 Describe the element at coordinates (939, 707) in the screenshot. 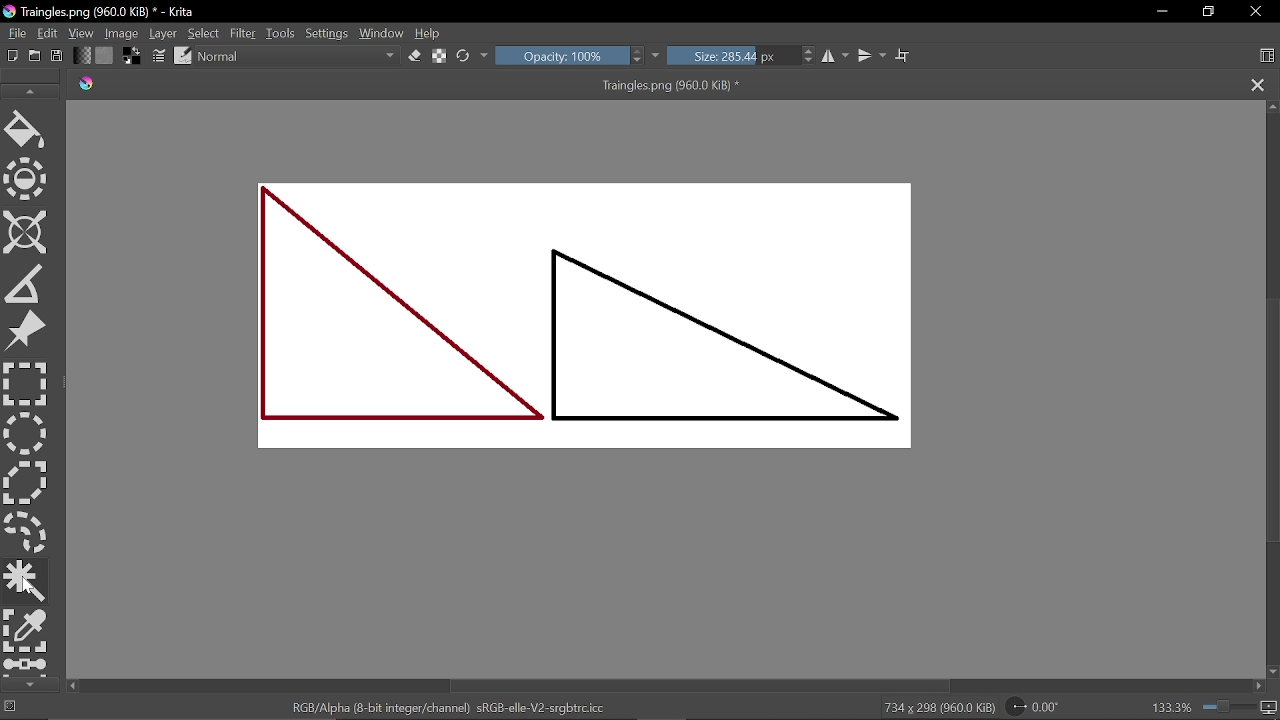

I see `734 x 208 (960.0 KiB)` at that location.